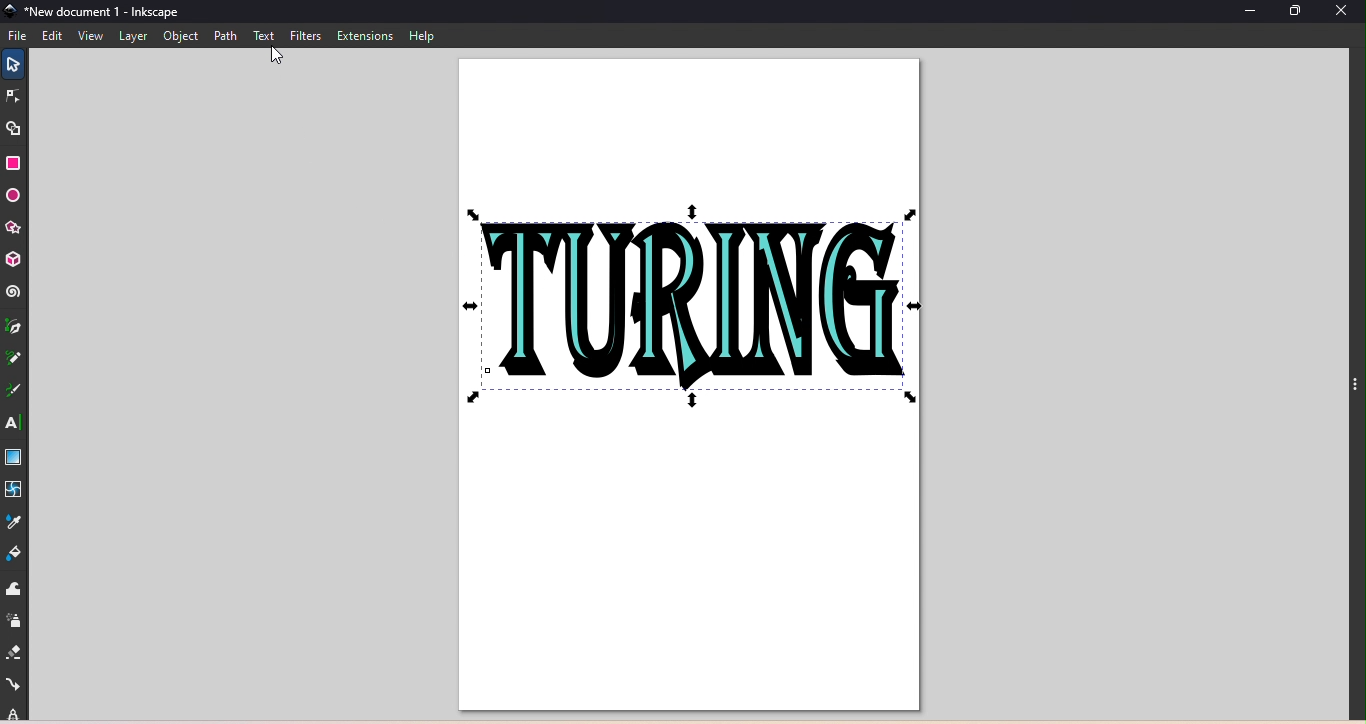  Describe the element at coordinates (88, 37) in the screenshot. I see `View` at that location.